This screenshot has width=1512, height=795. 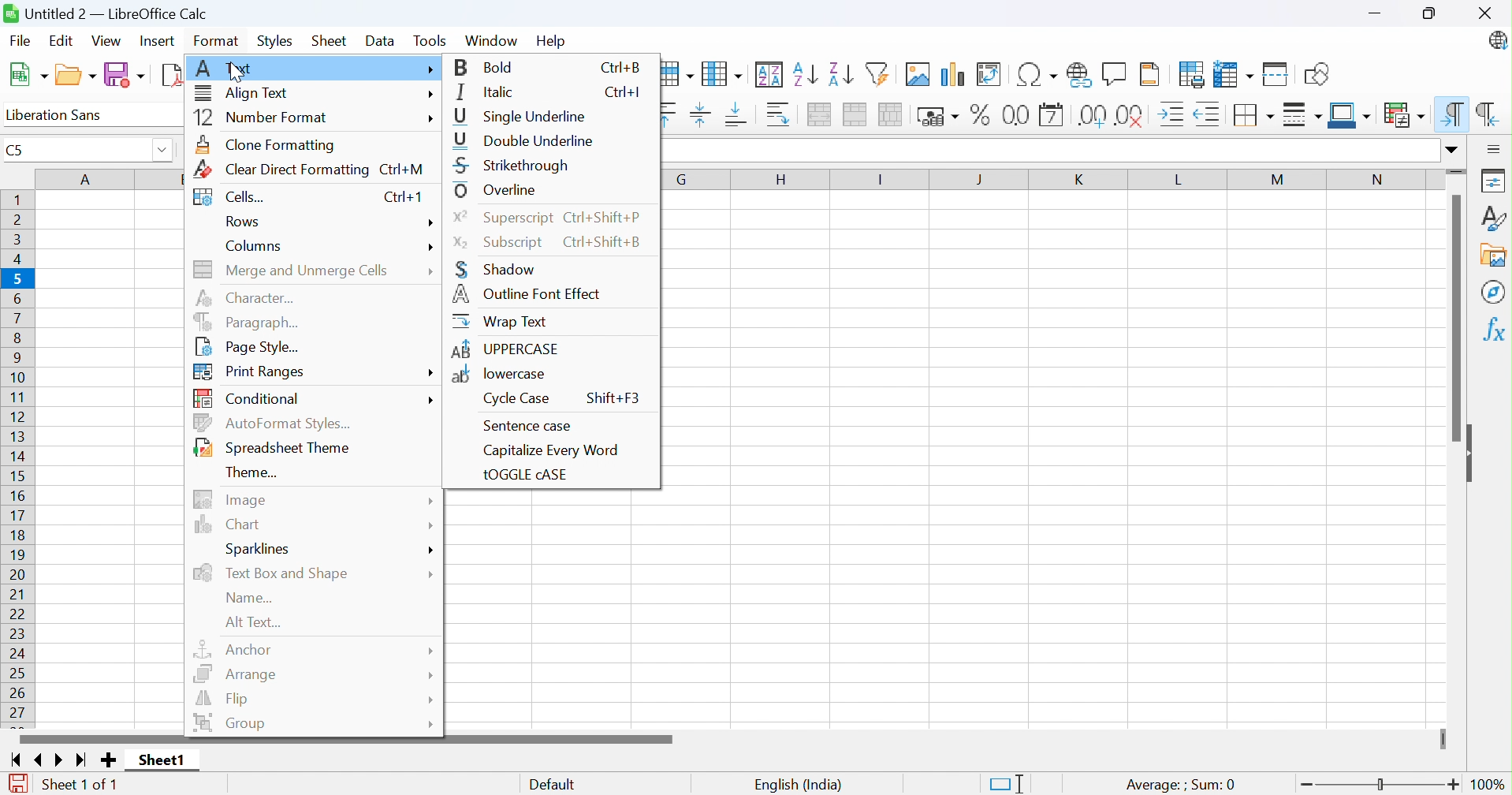 I want to click on More, so click(x=427, y=674).